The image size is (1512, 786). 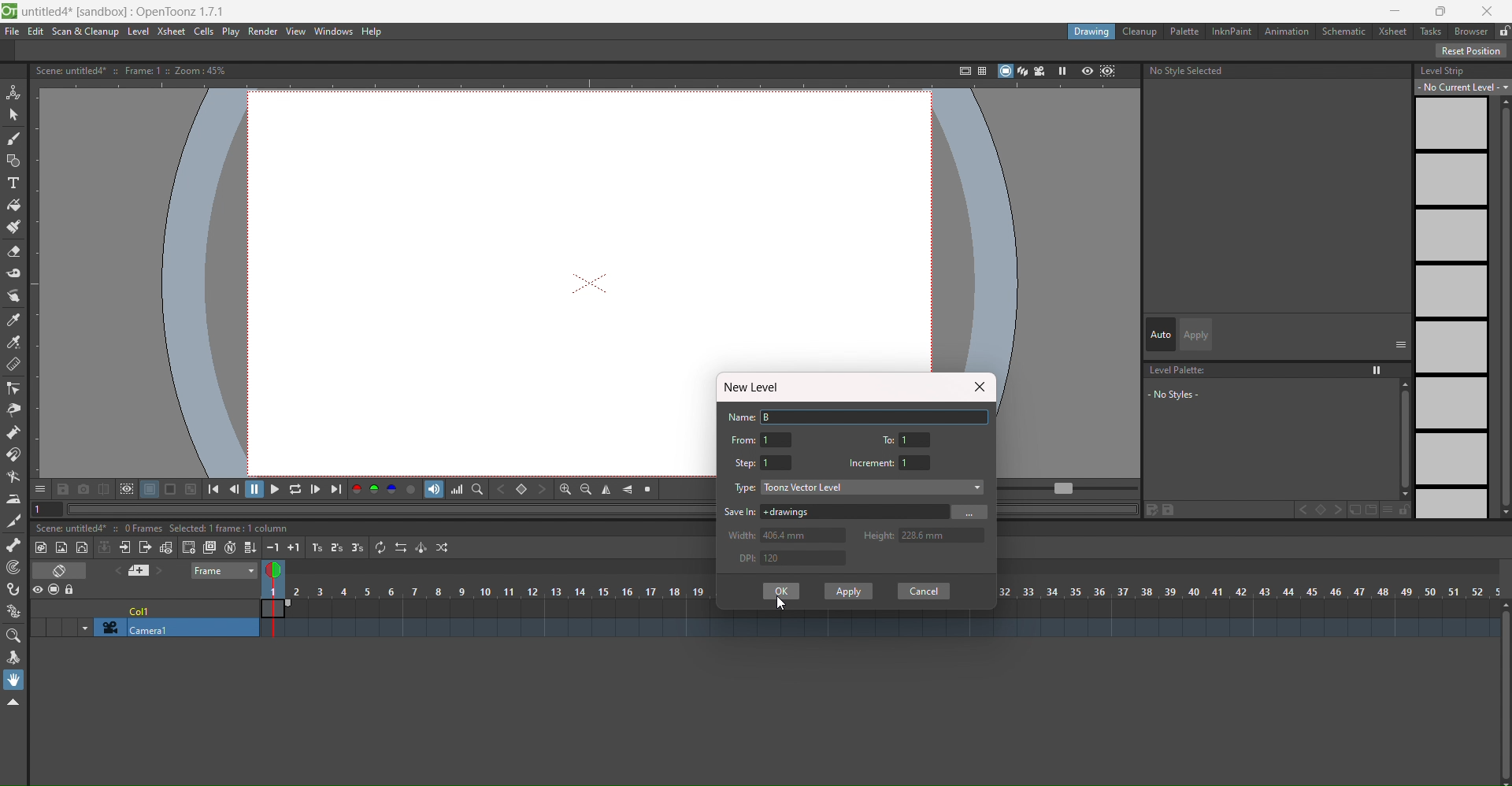 What do you see at coordinates (274, 488) in the screenshot?
I see `play` at bounding box center [274, 488].